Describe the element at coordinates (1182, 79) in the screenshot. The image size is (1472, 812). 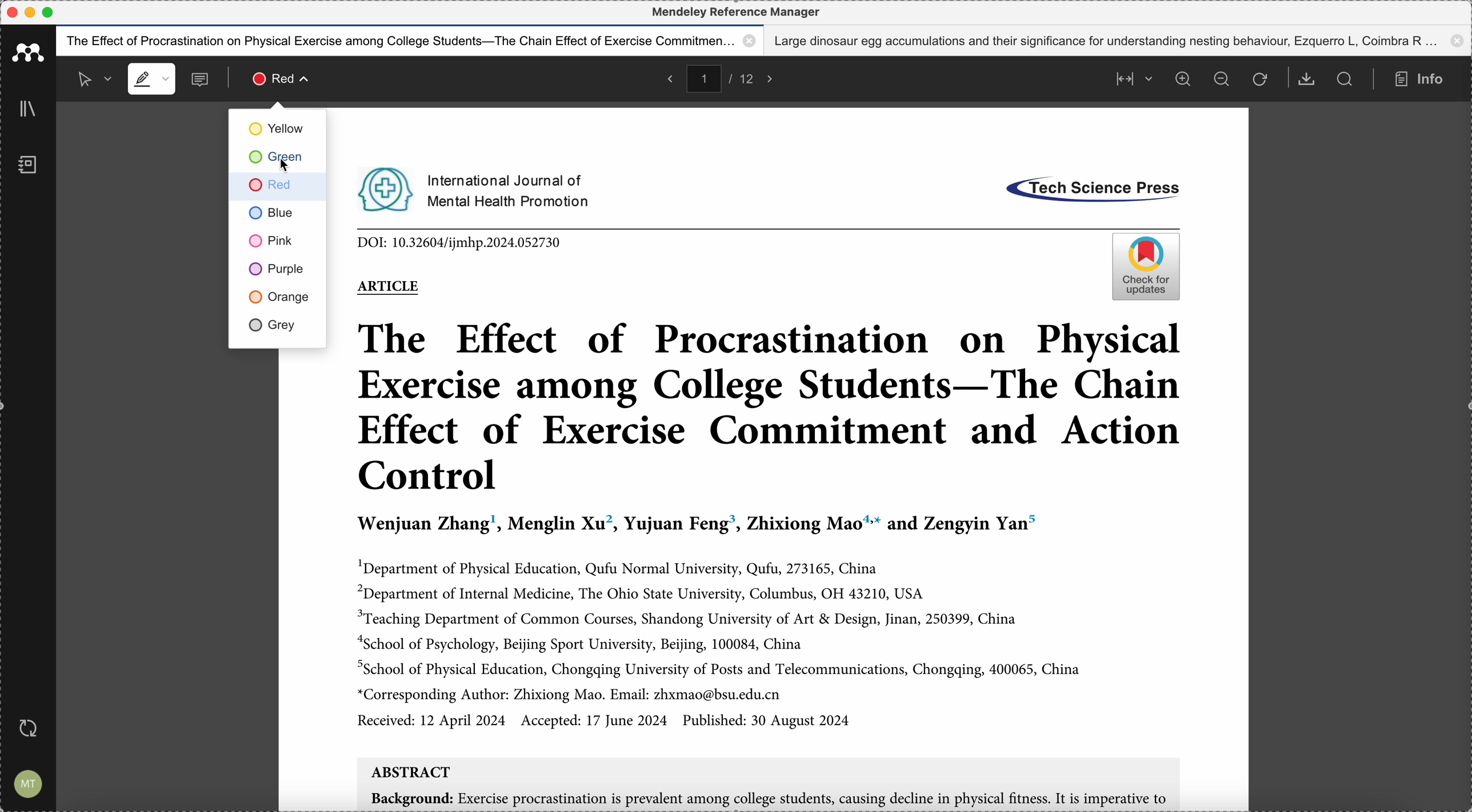
I see `zoom in` at that location.